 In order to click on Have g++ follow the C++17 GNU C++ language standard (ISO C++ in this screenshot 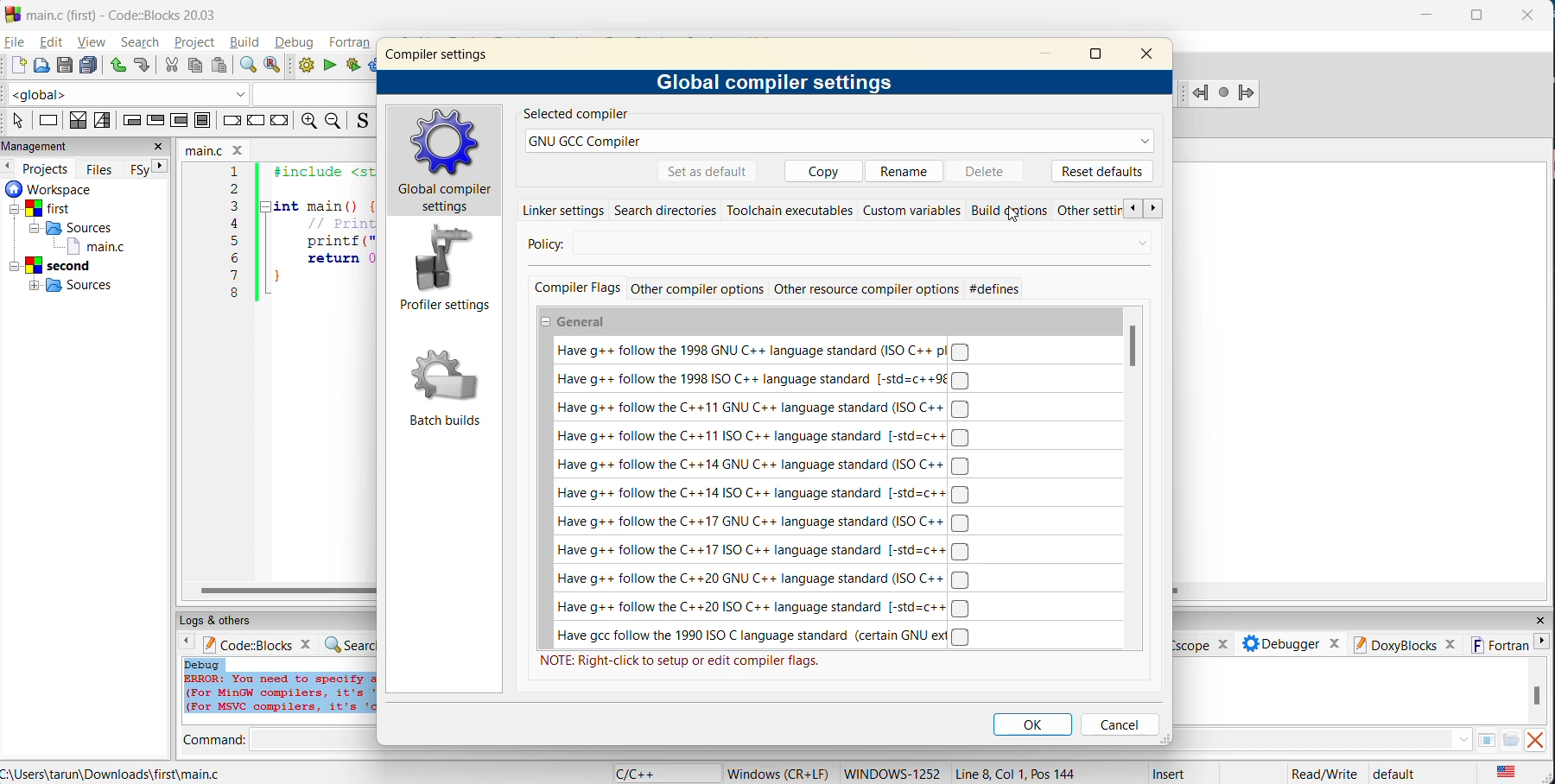, I will do `click(765, 521)`.